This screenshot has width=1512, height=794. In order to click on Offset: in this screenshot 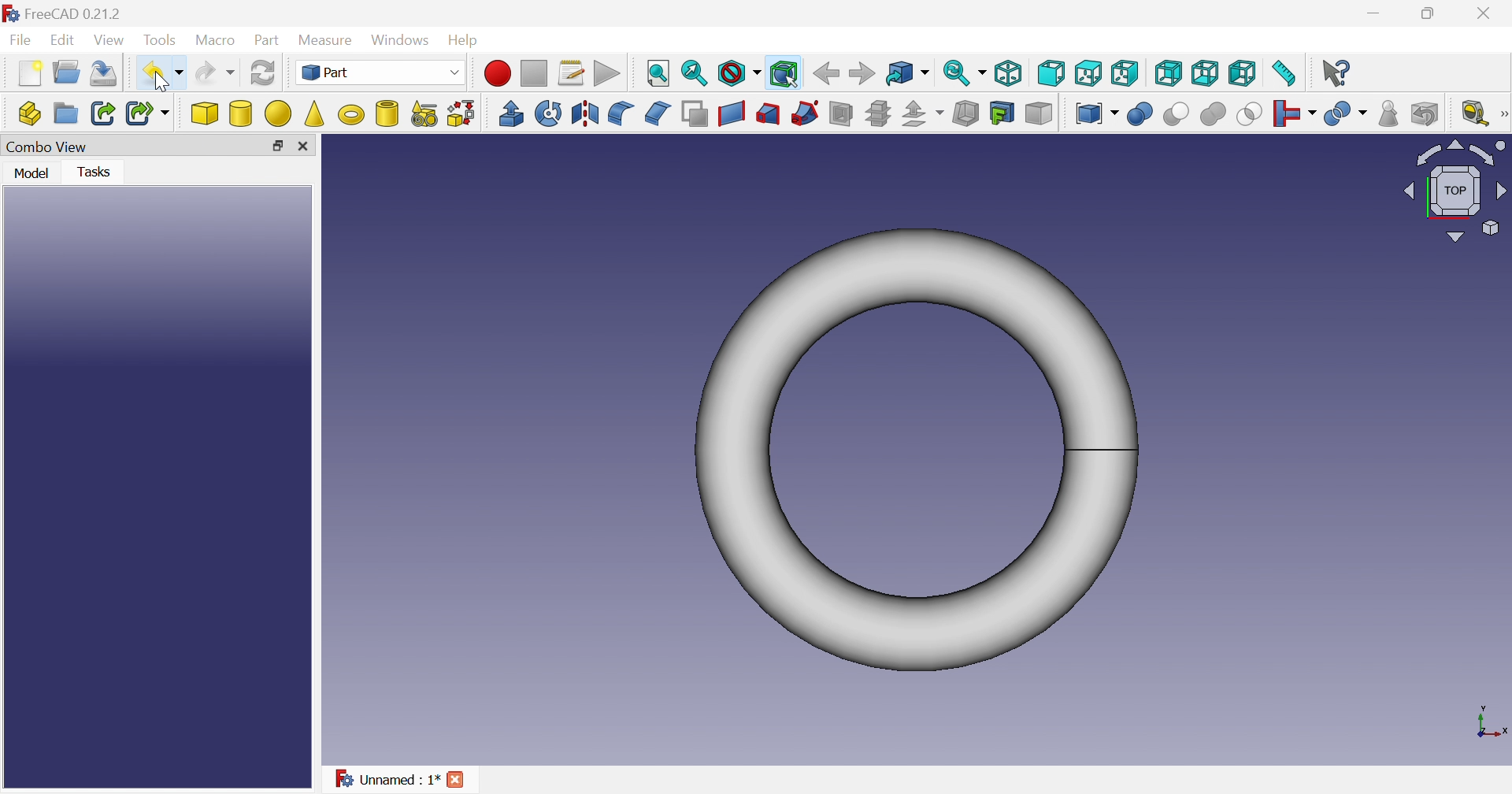, I will do `click(922, 114)`.